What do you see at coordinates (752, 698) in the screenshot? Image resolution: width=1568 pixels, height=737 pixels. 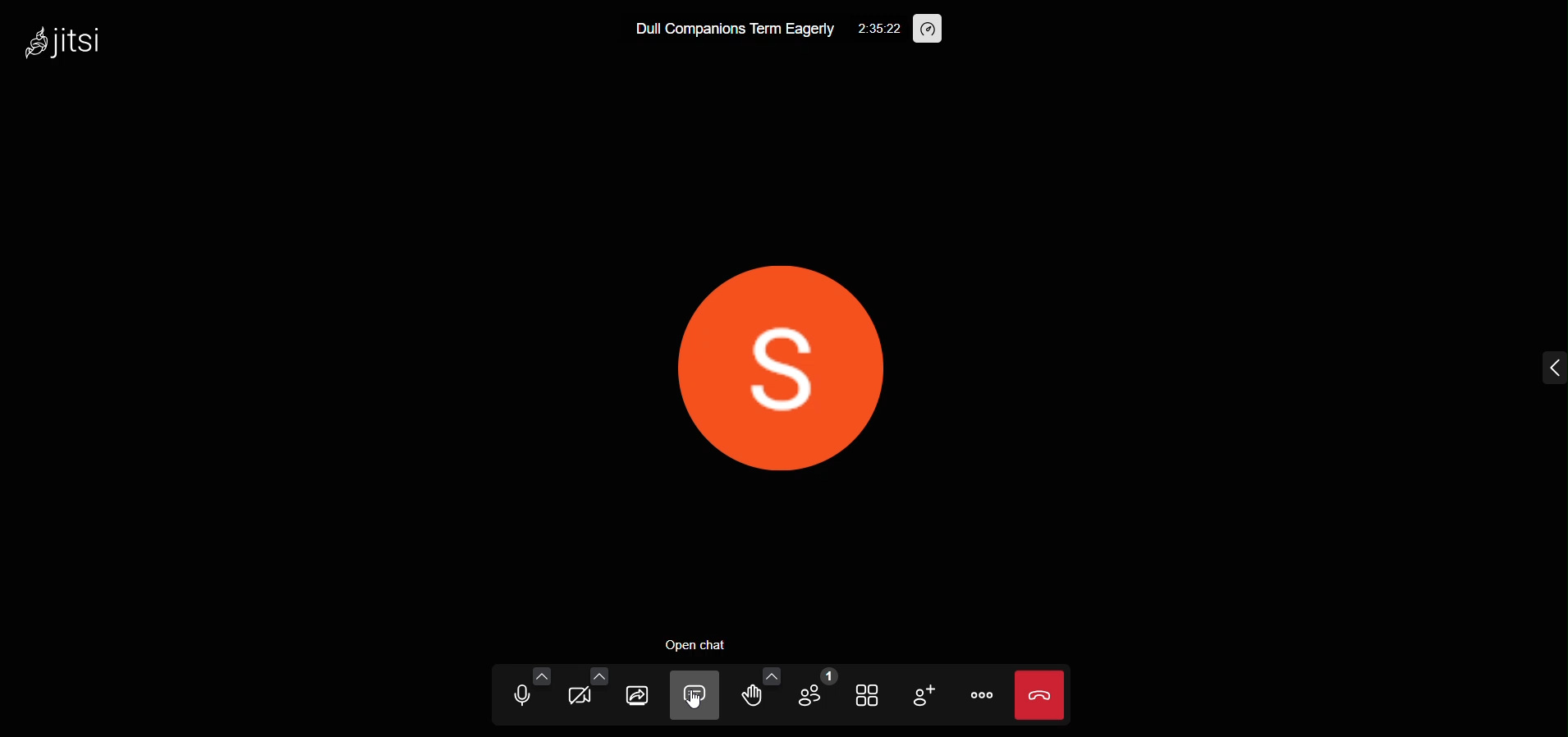 I see `raise hand` at bounding box center [752, 698].